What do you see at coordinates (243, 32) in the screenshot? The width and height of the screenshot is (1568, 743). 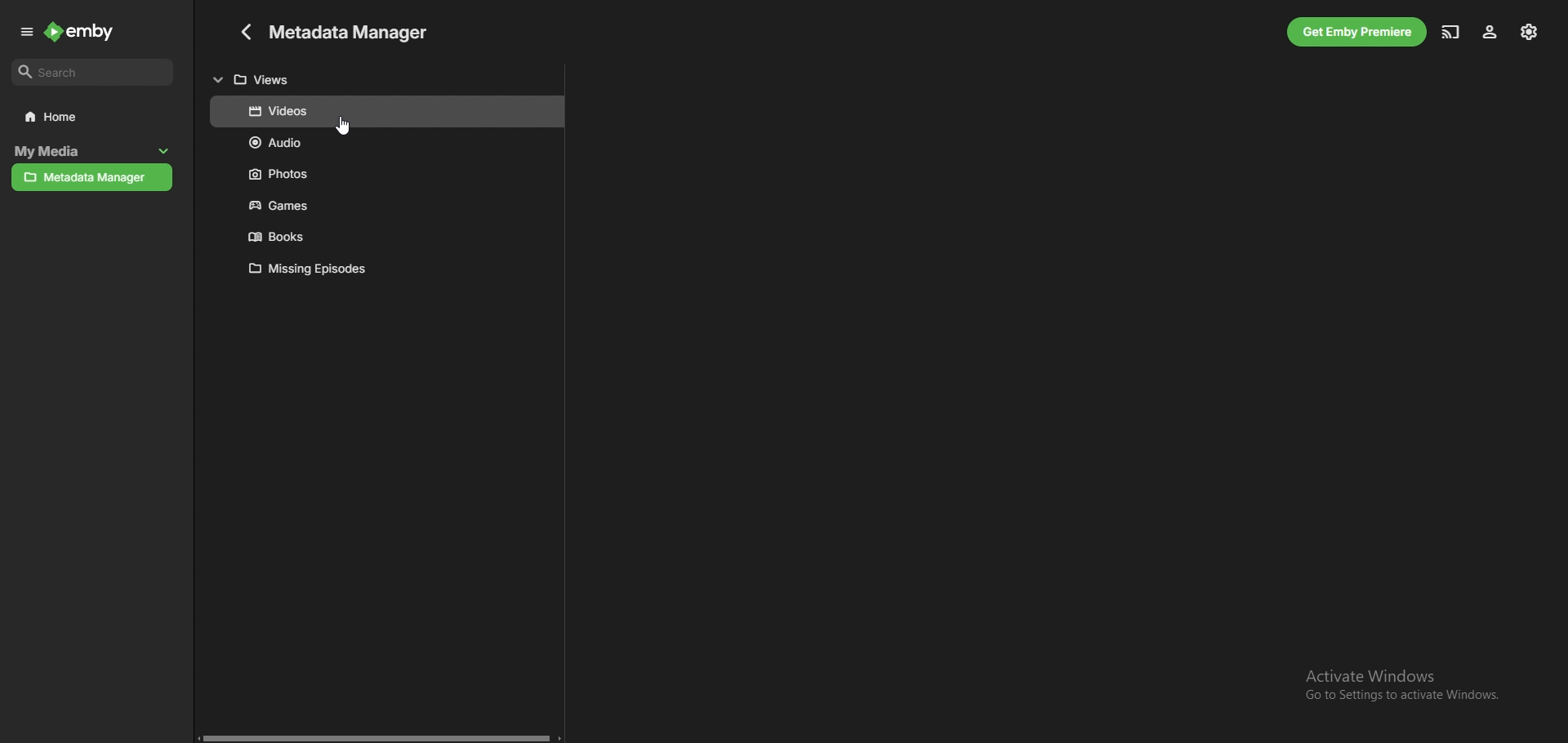 I see `go back` at bounding box center [243, 32].